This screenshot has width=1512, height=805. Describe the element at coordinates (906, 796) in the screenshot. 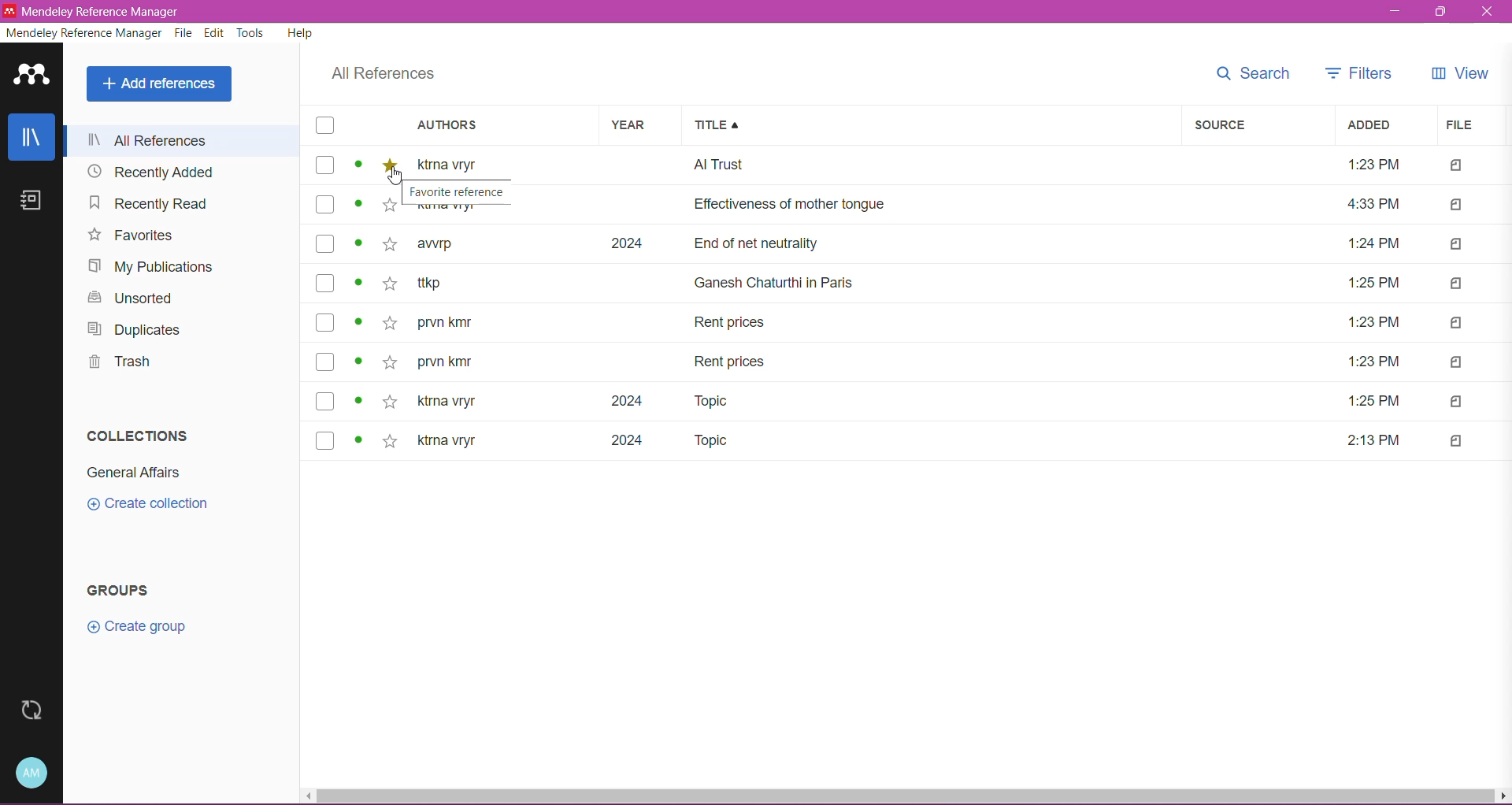

I see `Horizontal Scroll Bar` at that location.